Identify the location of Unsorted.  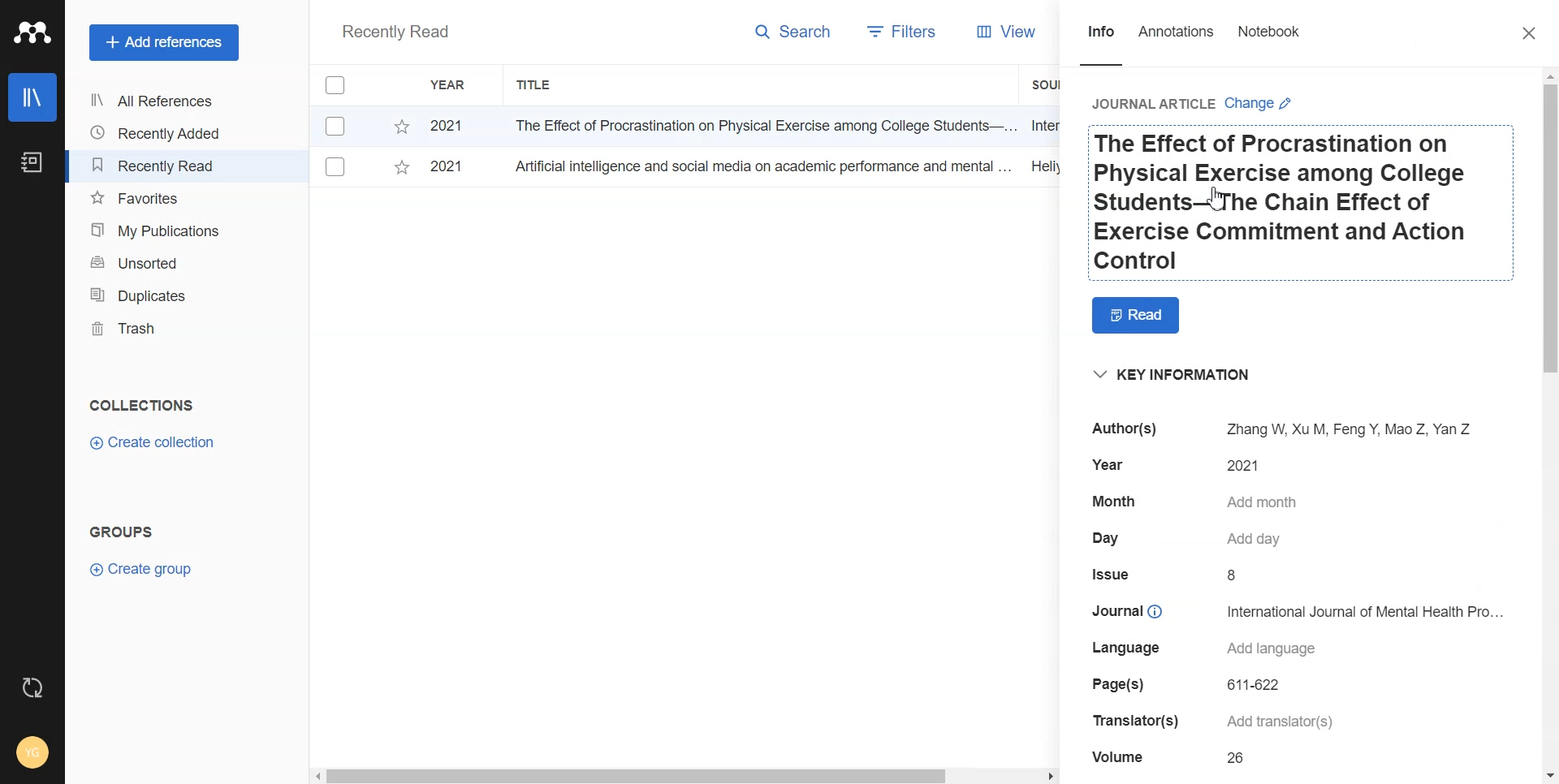
(160, 261).